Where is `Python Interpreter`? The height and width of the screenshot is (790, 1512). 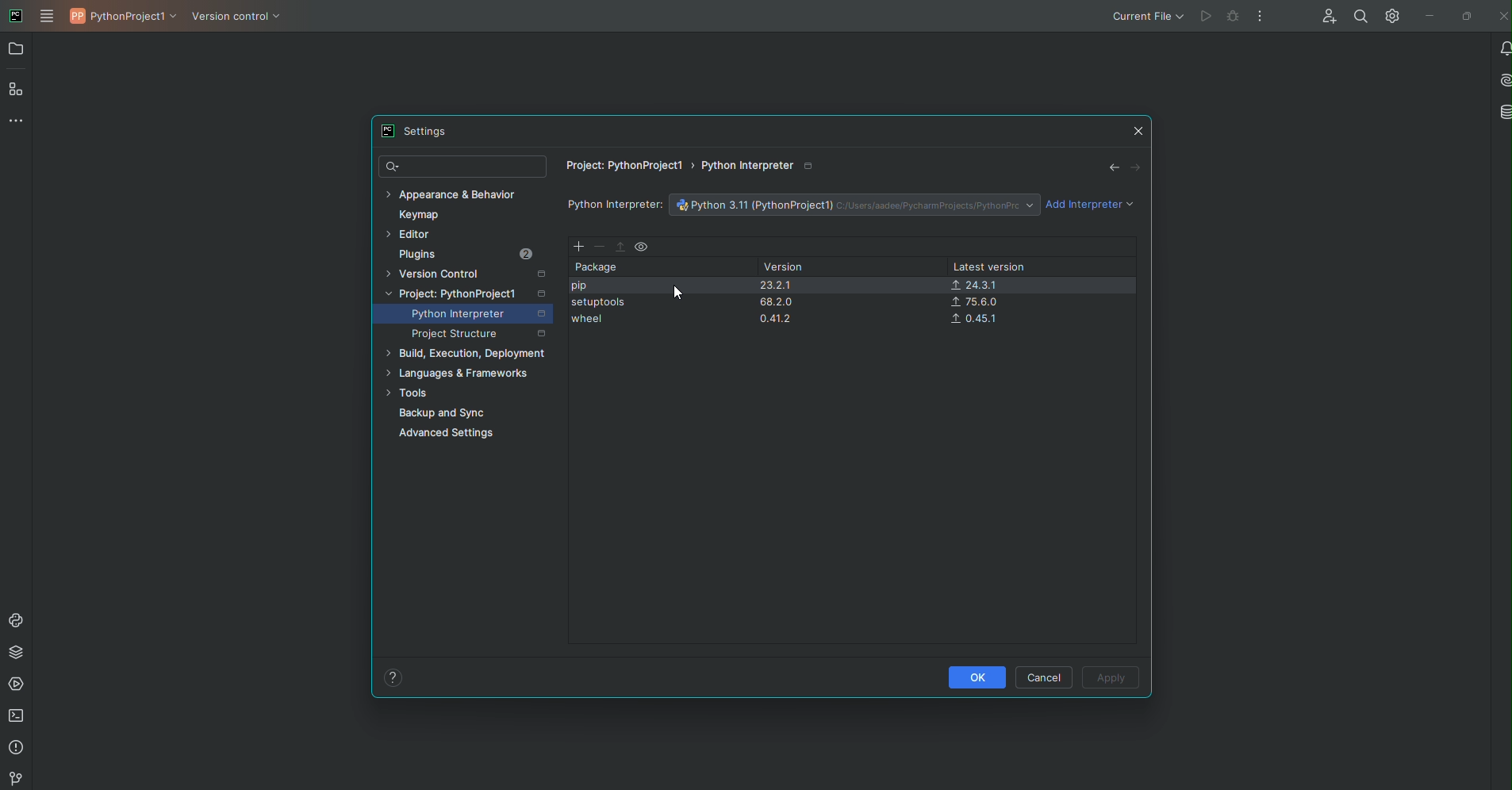 Python Interpreter is located at coordinates (615, 205).